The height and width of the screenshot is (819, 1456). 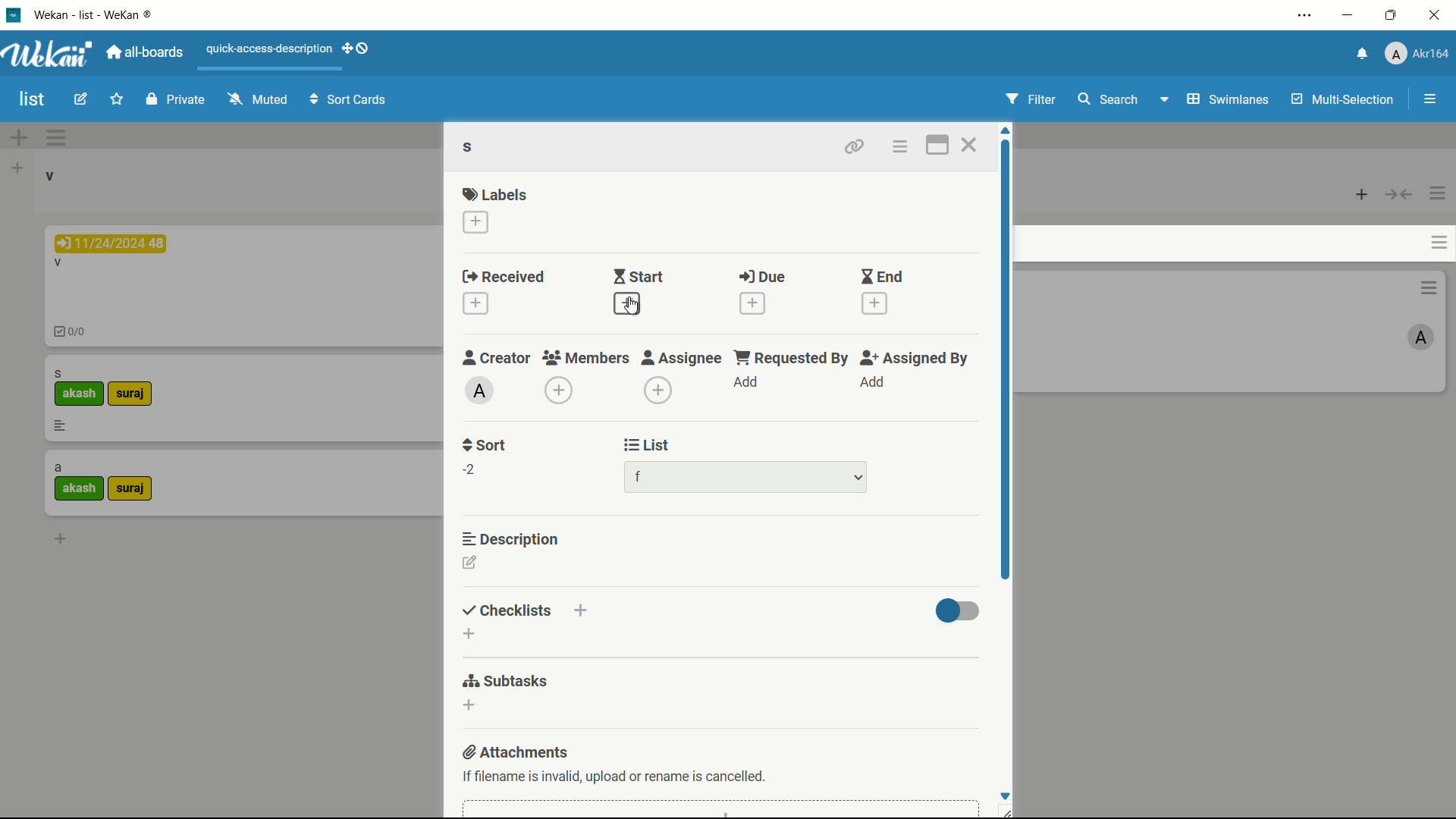 I want to click on star this board, so click(x=116, y=99).